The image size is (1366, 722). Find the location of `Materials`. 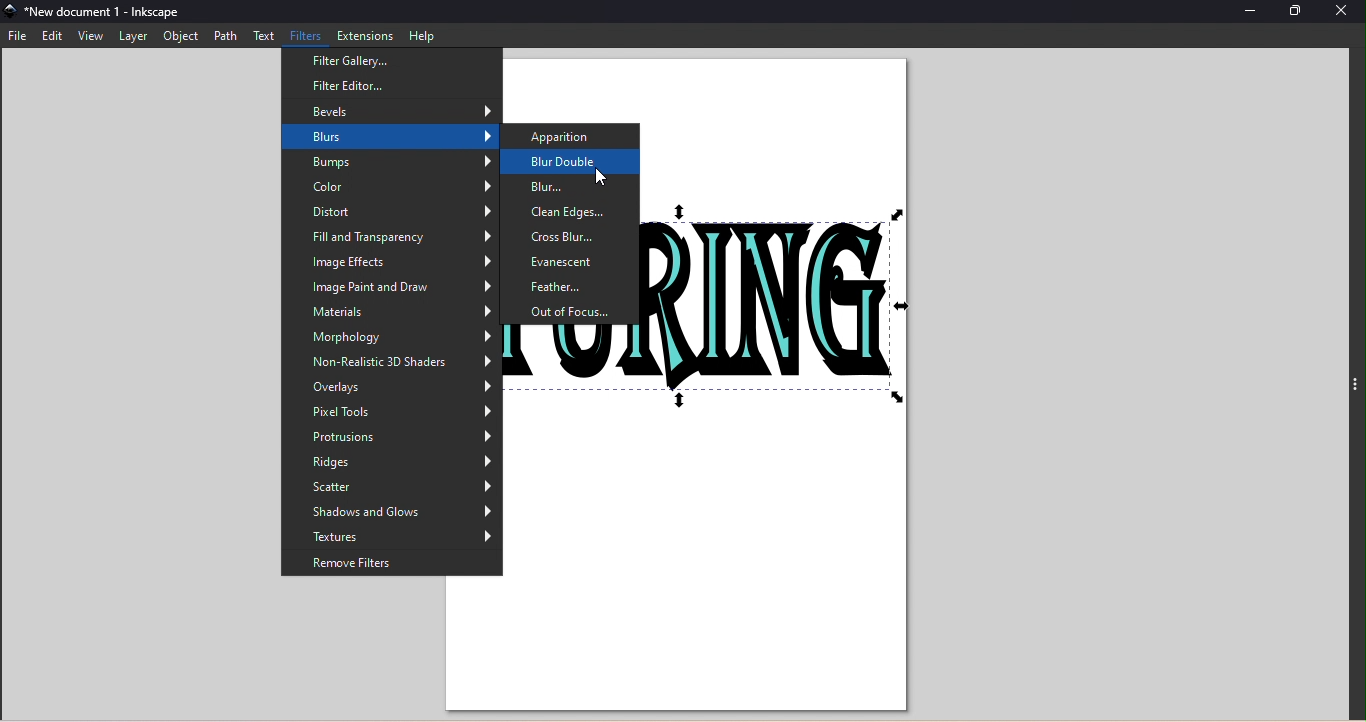

Materials is located at coordinates (390, 313).